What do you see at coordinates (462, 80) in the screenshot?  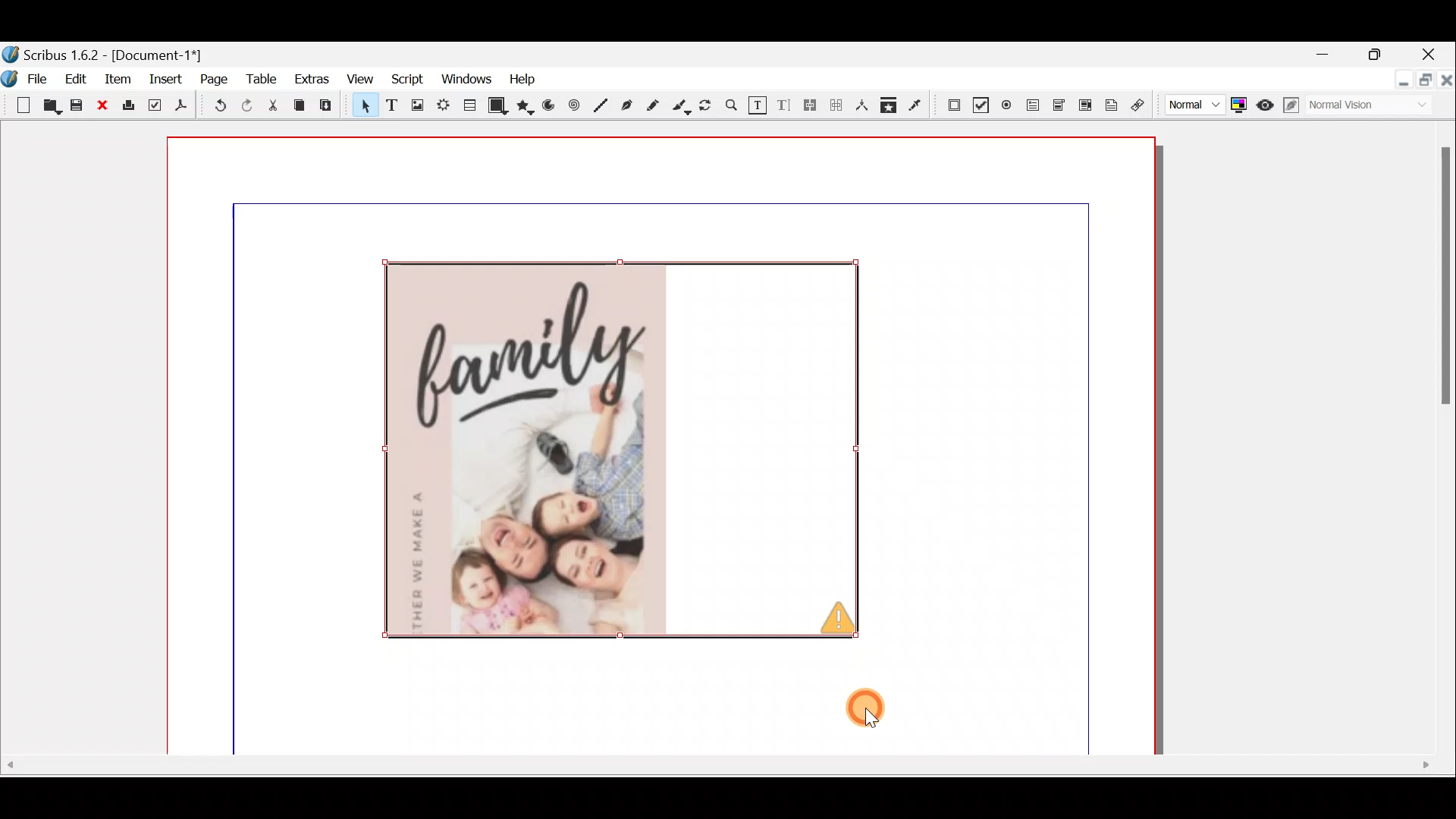 I see `Windows` at bounding box center [462, 80].